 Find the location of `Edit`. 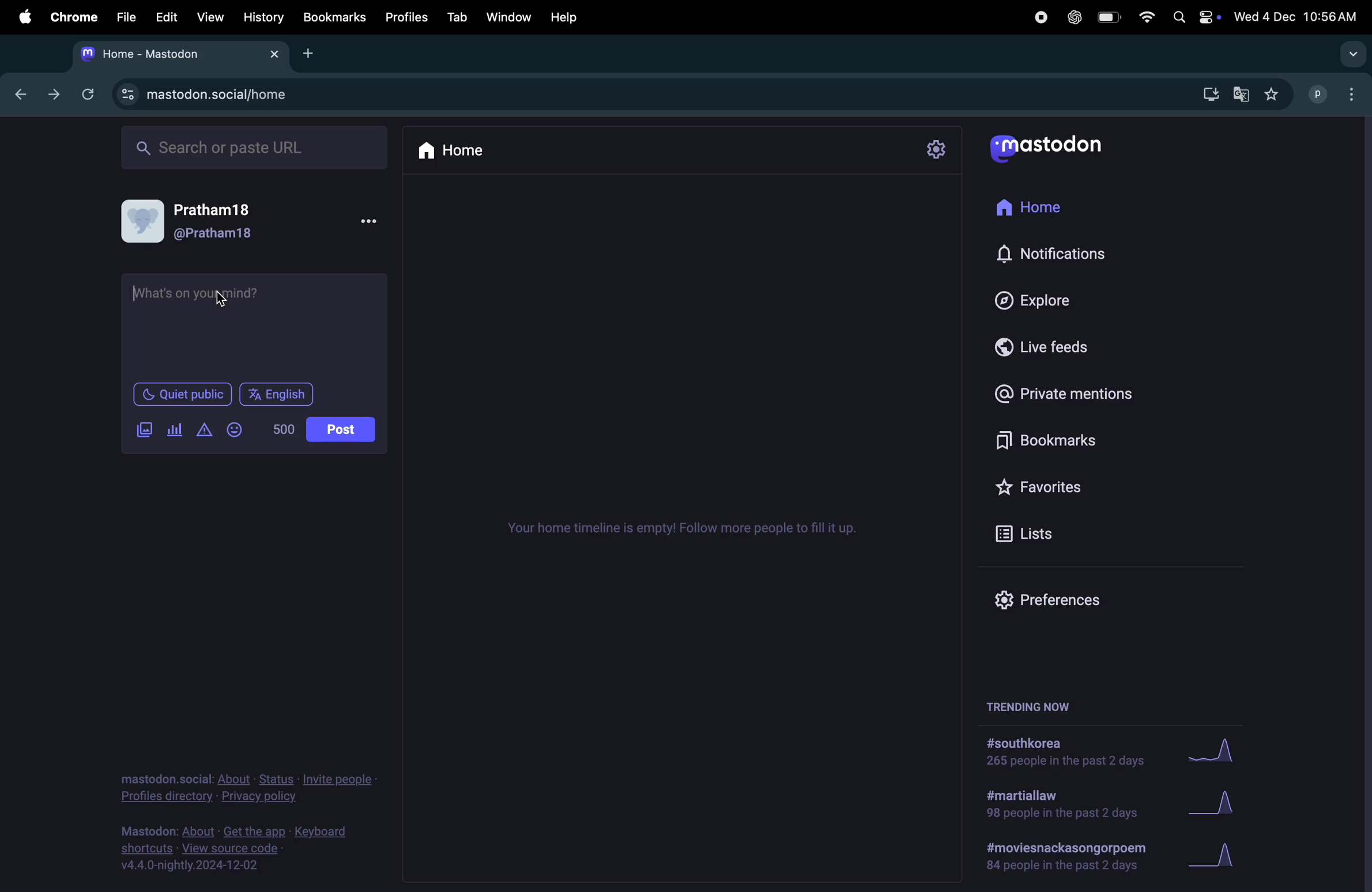

Edit is located at coordinates (168, 16).